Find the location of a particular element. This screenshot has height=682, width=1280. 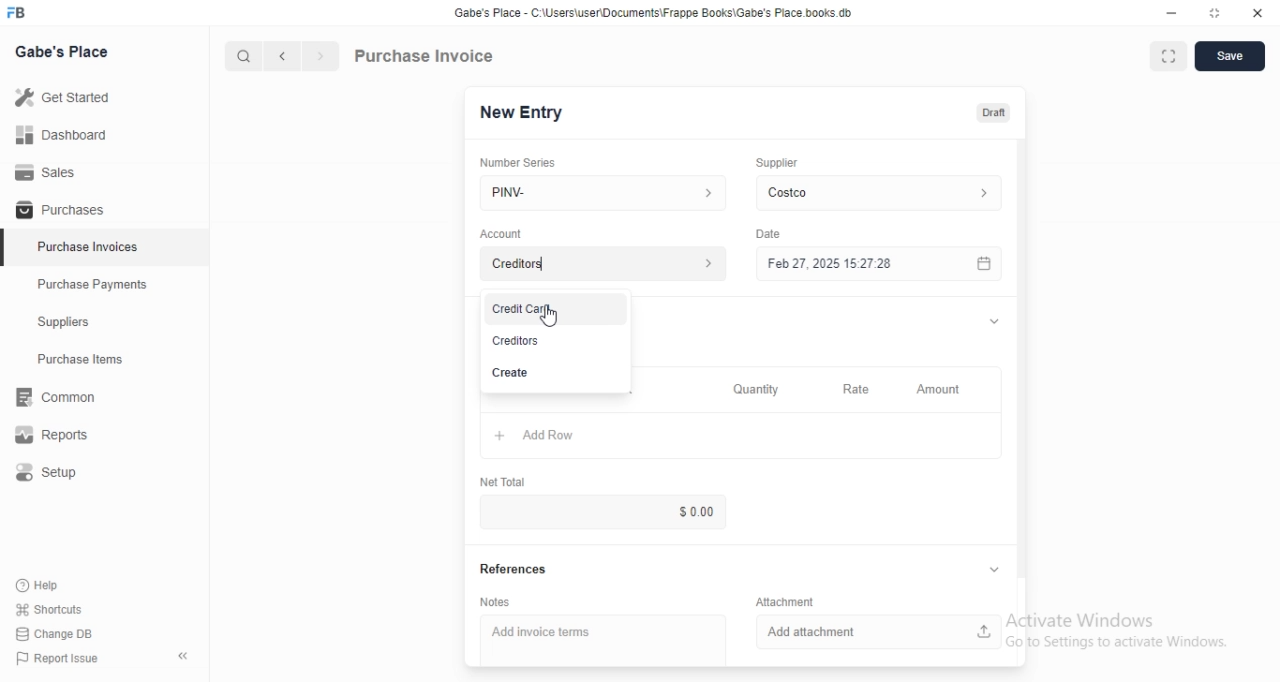

References is located at coordinates (514, 568).